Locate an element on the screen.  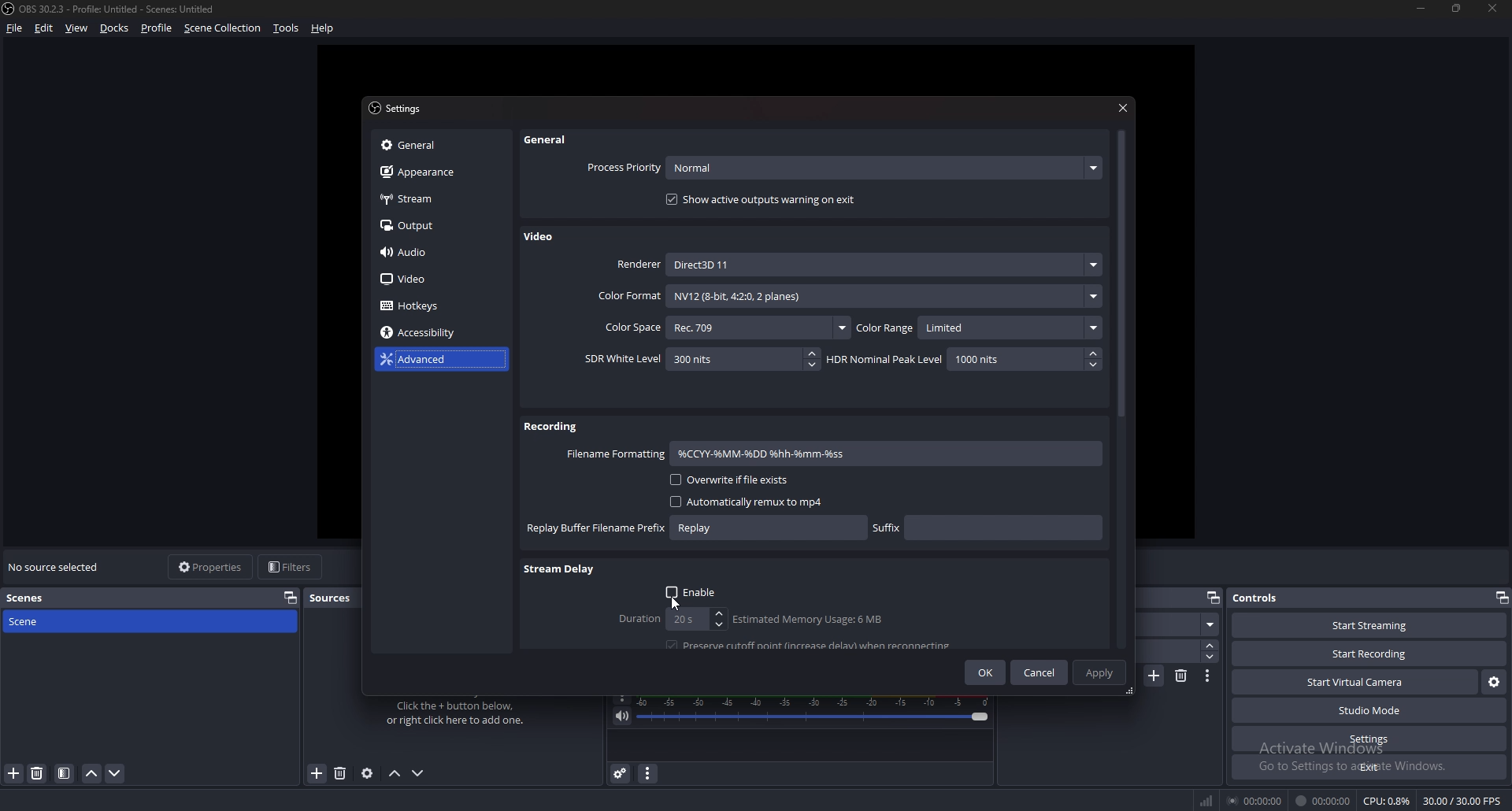
hot keys is located at coordinates (421, 306).